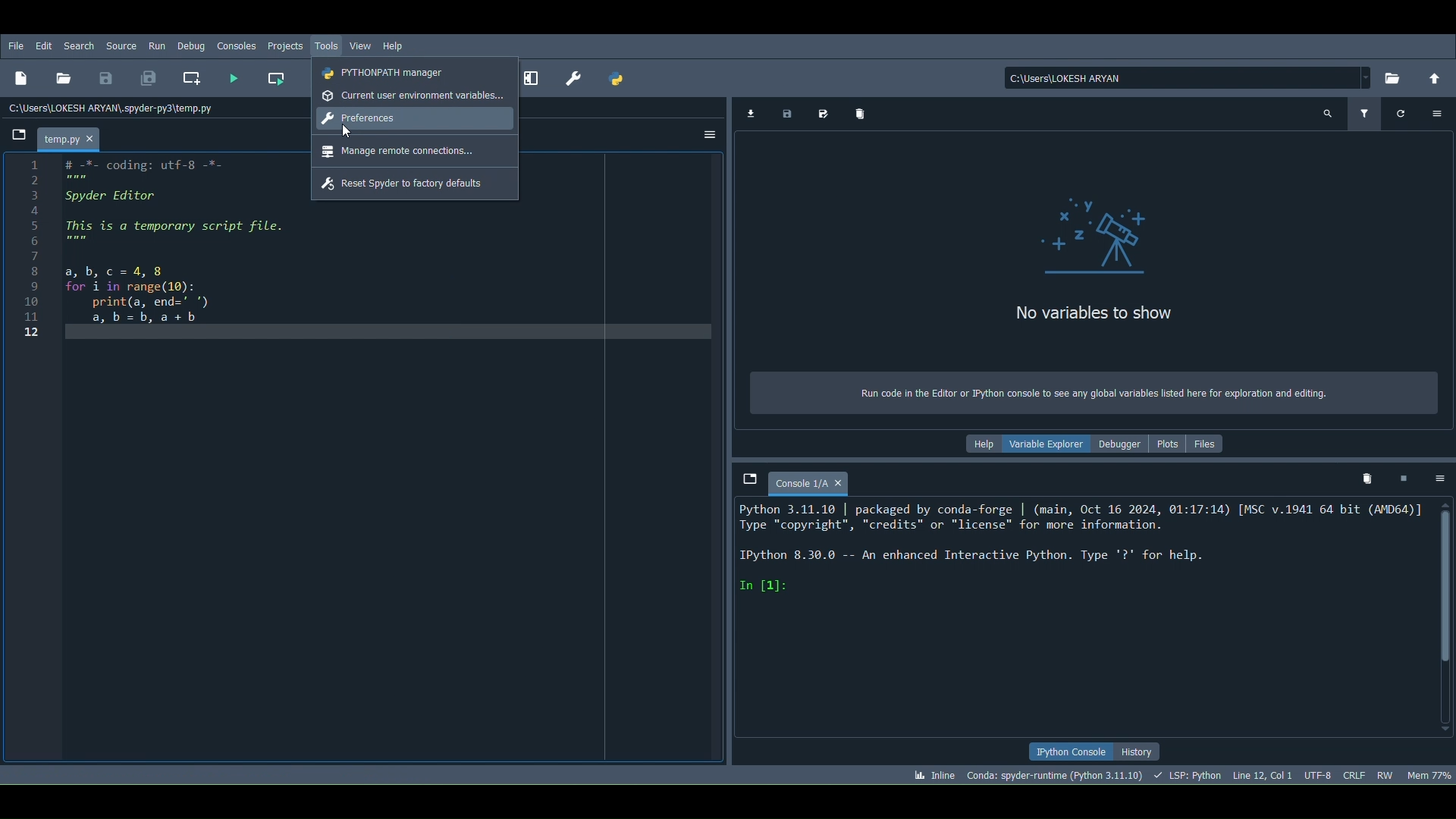 The height and width of the screenshot is (819, 1456). Describe the element at coordinates (1446, 617) in the screenshot. I see `Scrollbar` at that location.